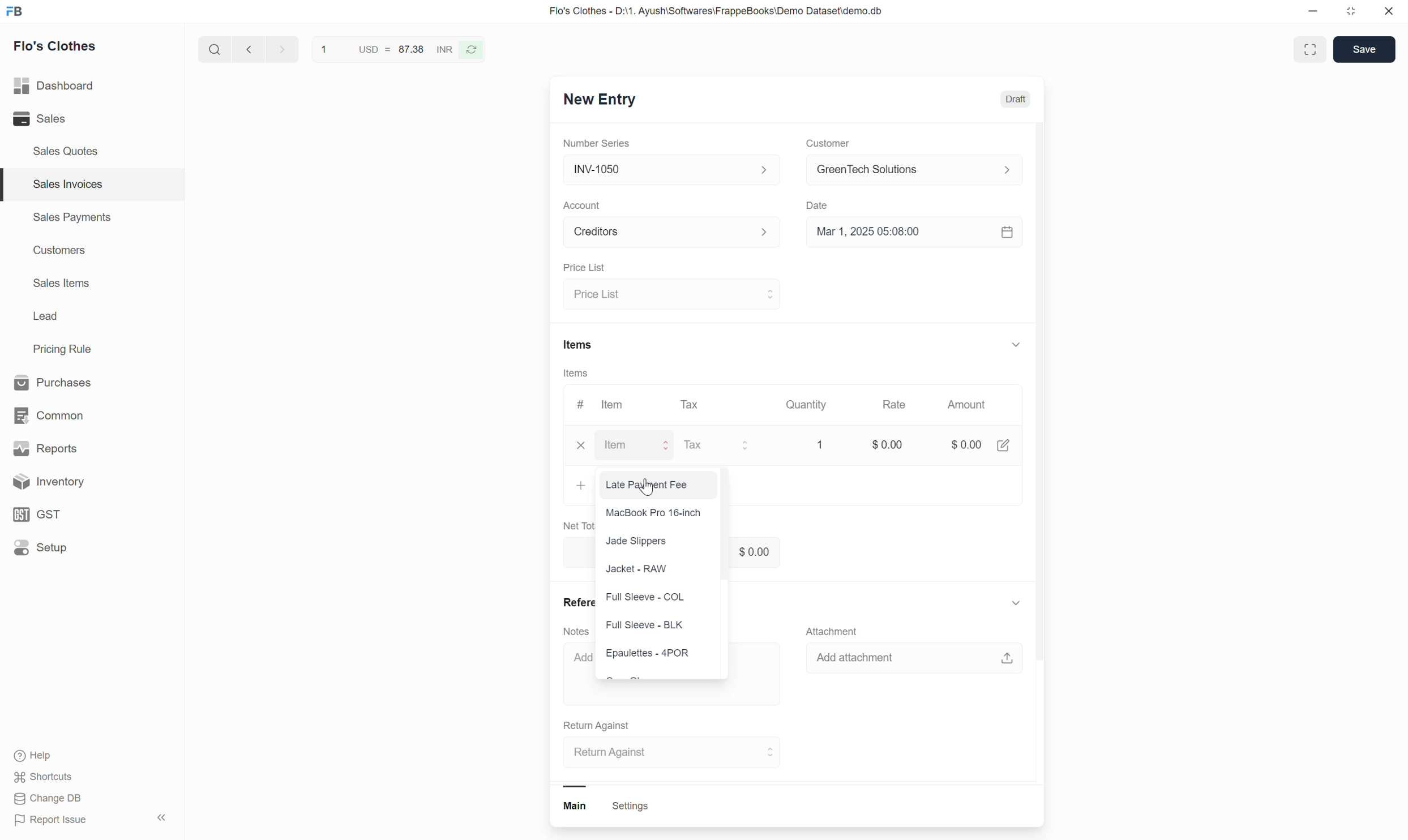  What do you see at coordinates (666, 235) in the screenshot?
I see `Select Account` at bounding box center [666, 235].